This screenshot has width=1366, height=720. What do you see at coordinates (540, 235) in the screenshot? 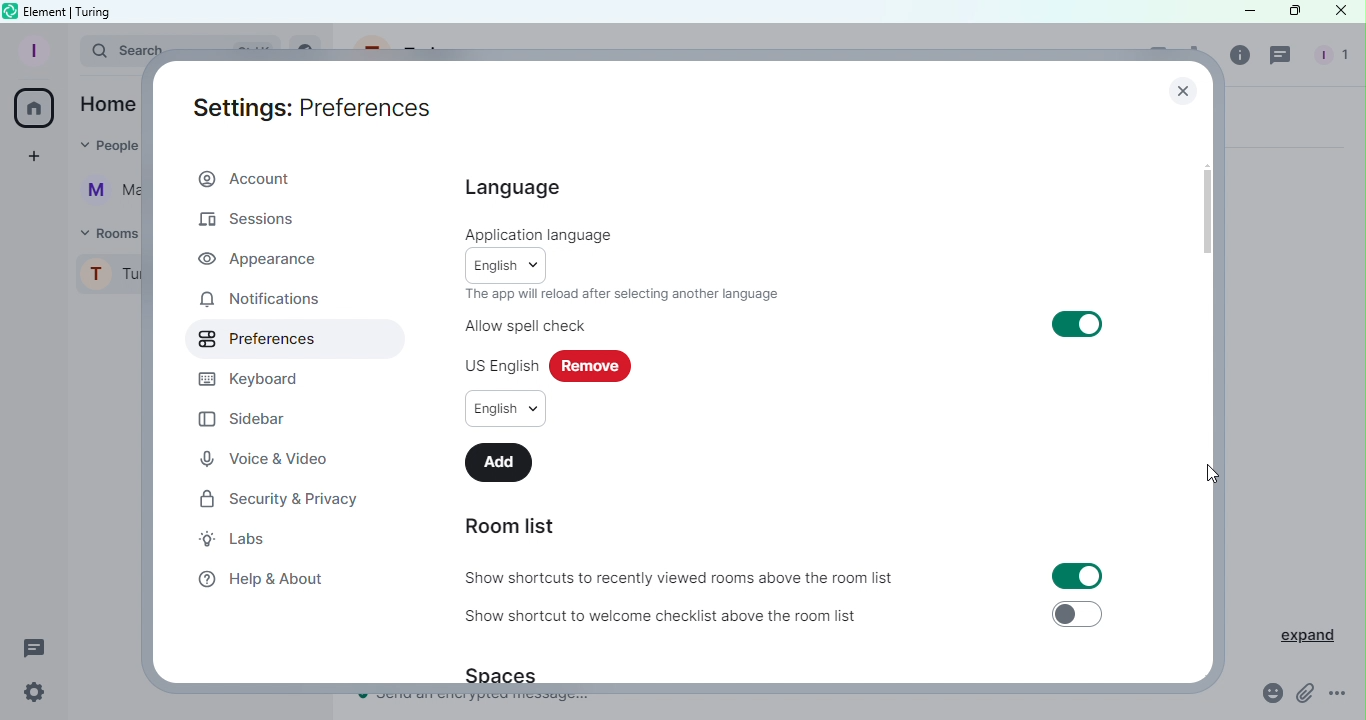
I see `Application language` at bounding box center [540, 235].